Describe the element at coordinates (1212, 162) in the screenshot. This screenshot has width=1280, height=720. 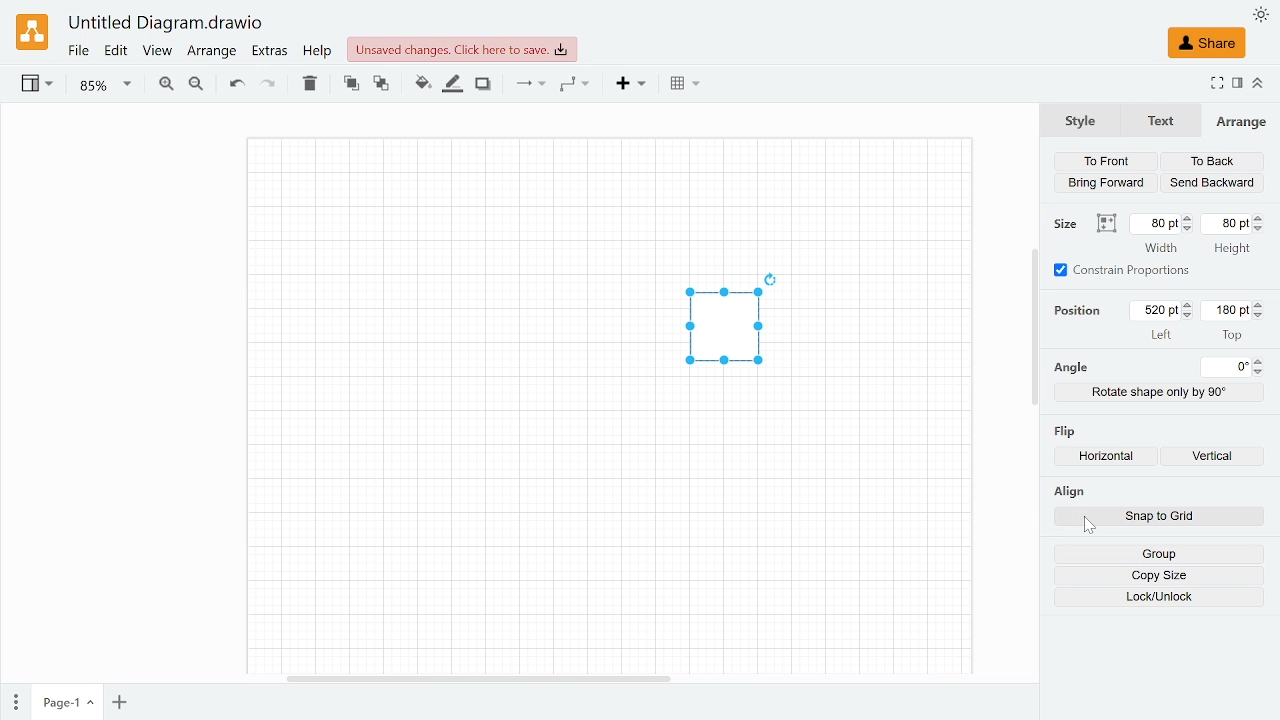
I see `To back` at that location.